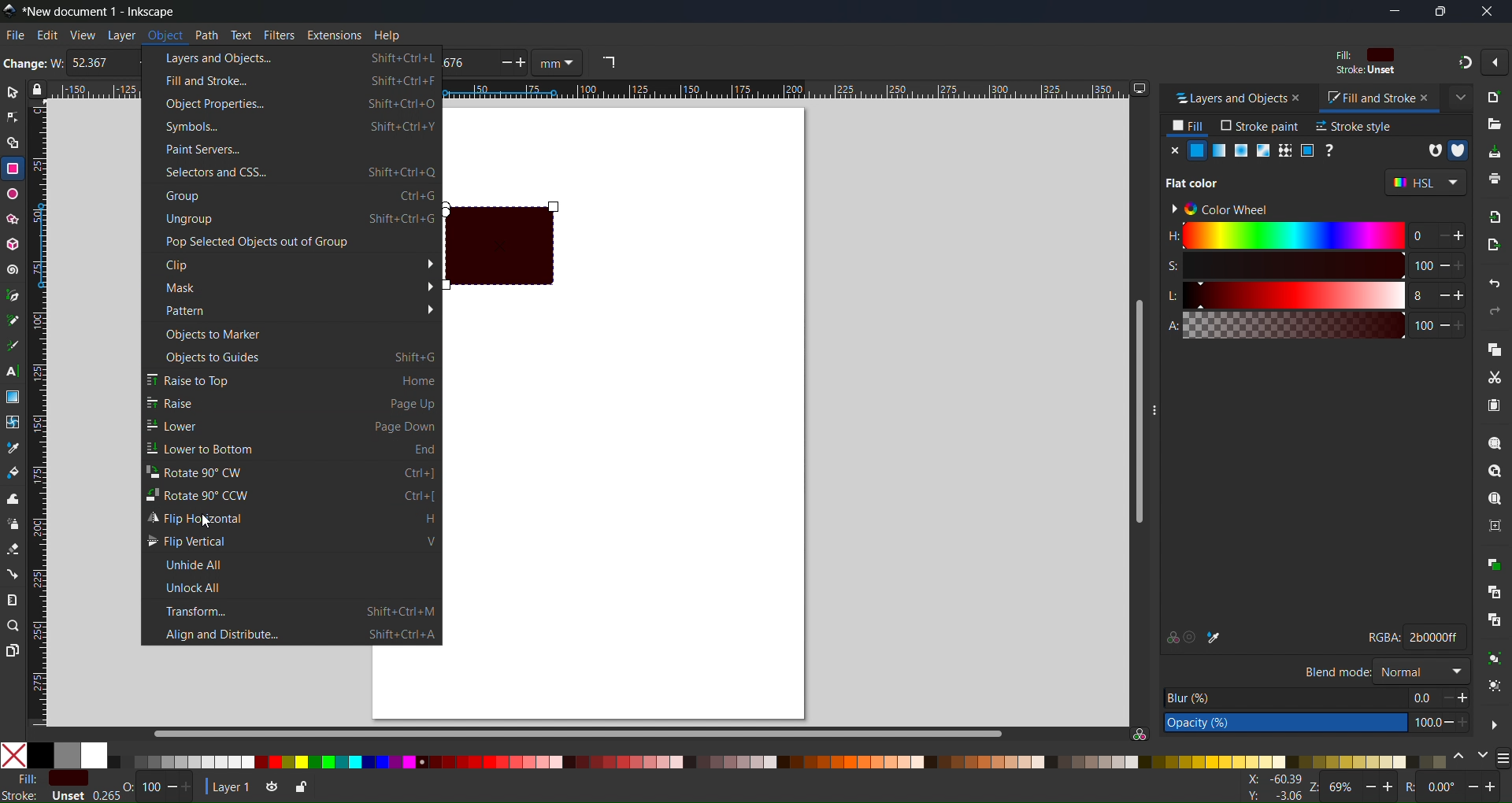 The image size is (1512, 803). What do you see at coordinates (130, 787) in the screenshot?
I see `O:` at bounding box center [130, 787].